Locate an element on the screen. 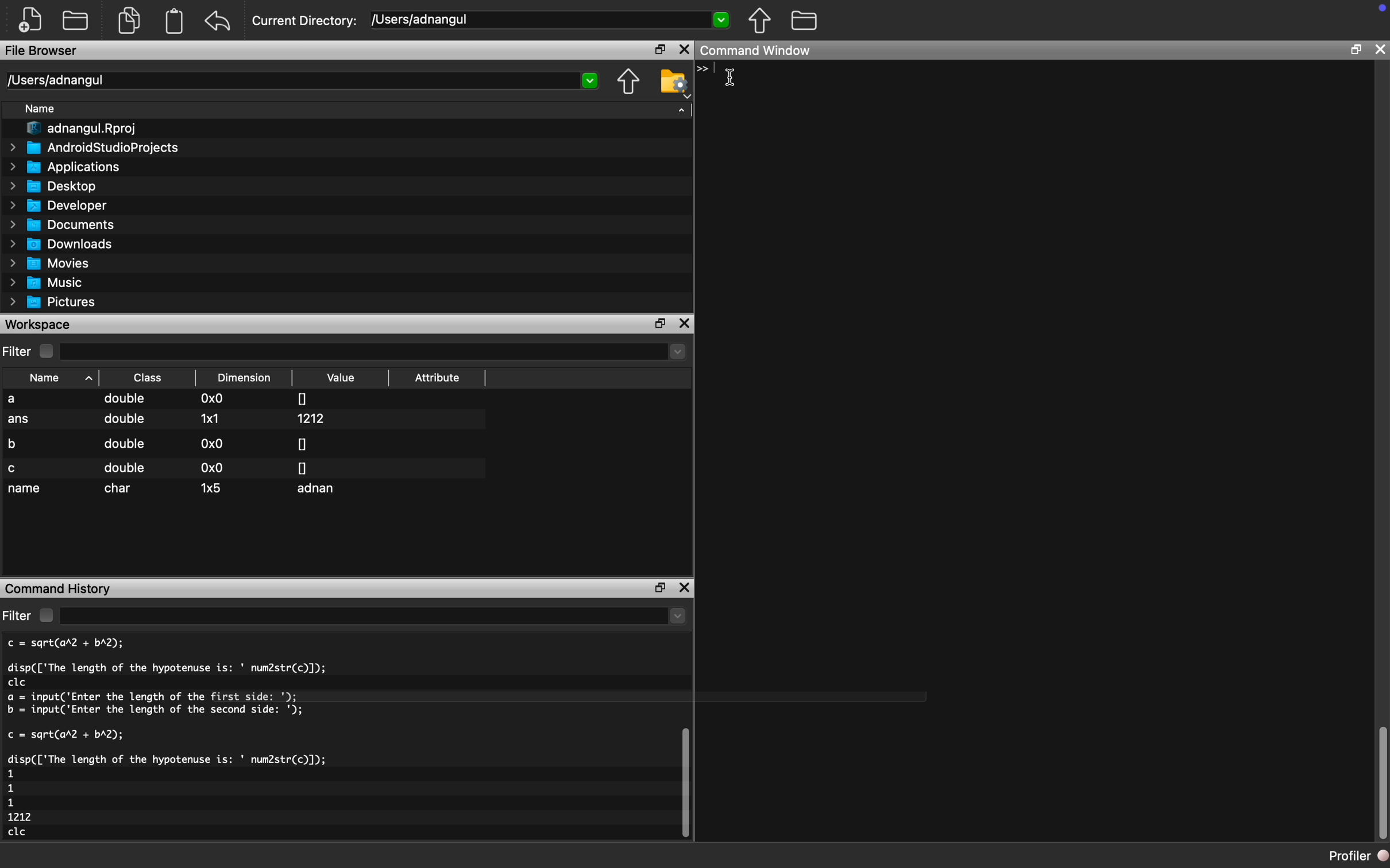 The image size is (1390, 868). dropdown is located at coordinates (375, 352).